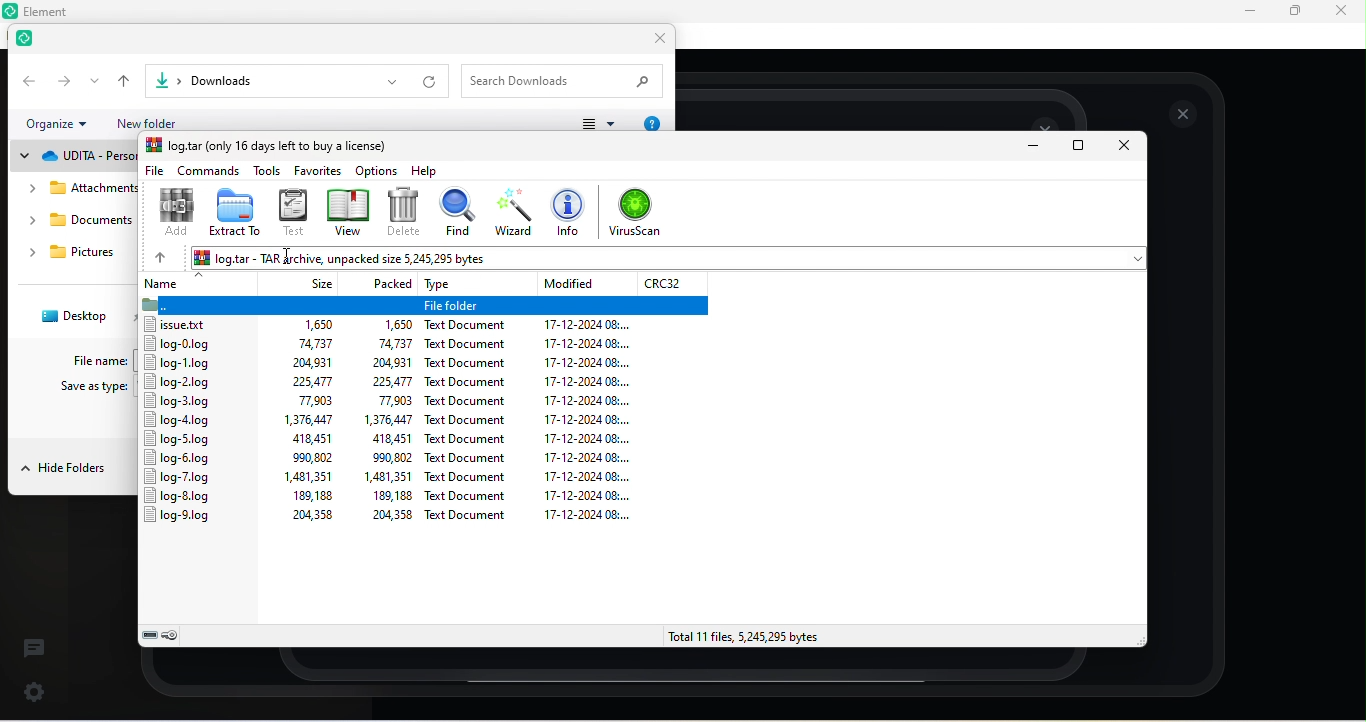 The width and height of the screenshot is (1366, 722). What do you see at coordinates (466, 439) in the screenshot?
I see `text document` at bounding box center [466, 439].